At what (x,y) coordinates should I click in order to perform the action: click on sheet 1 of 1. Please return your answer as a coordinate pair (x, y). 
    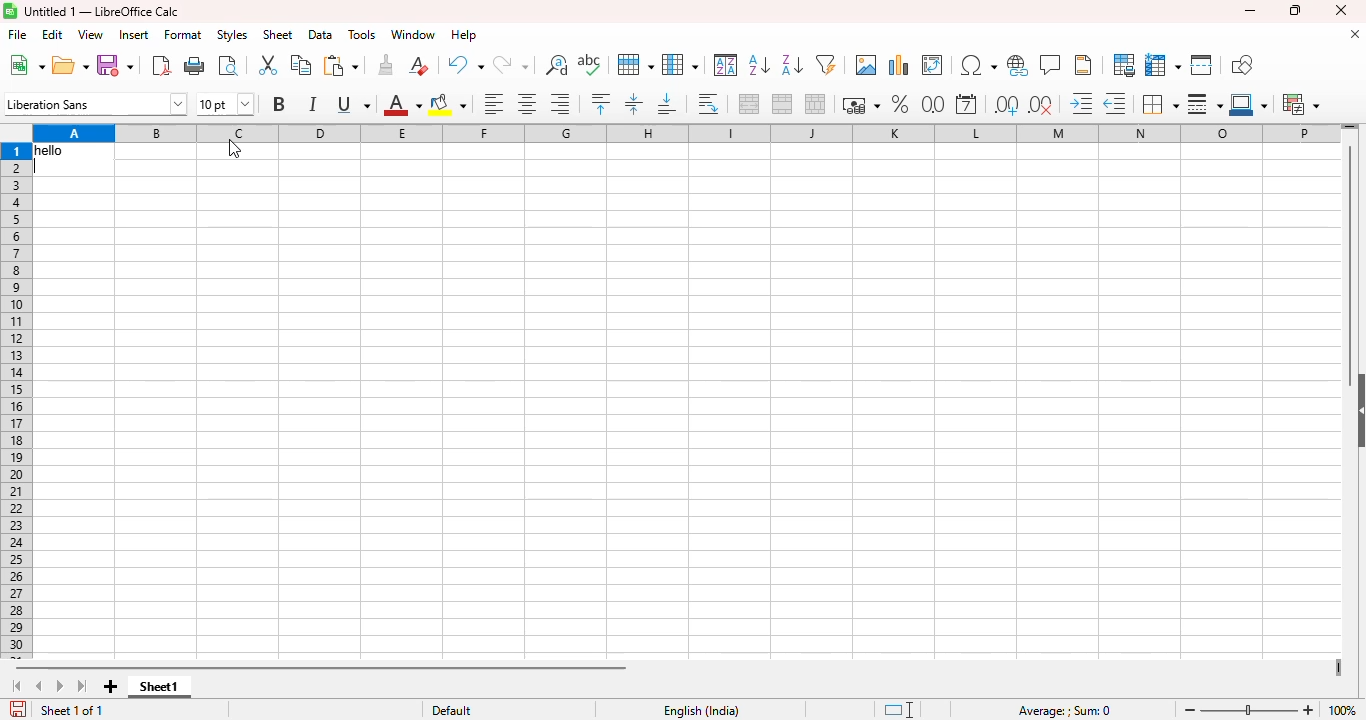
    Looking at the image, I should click on (73, 710).